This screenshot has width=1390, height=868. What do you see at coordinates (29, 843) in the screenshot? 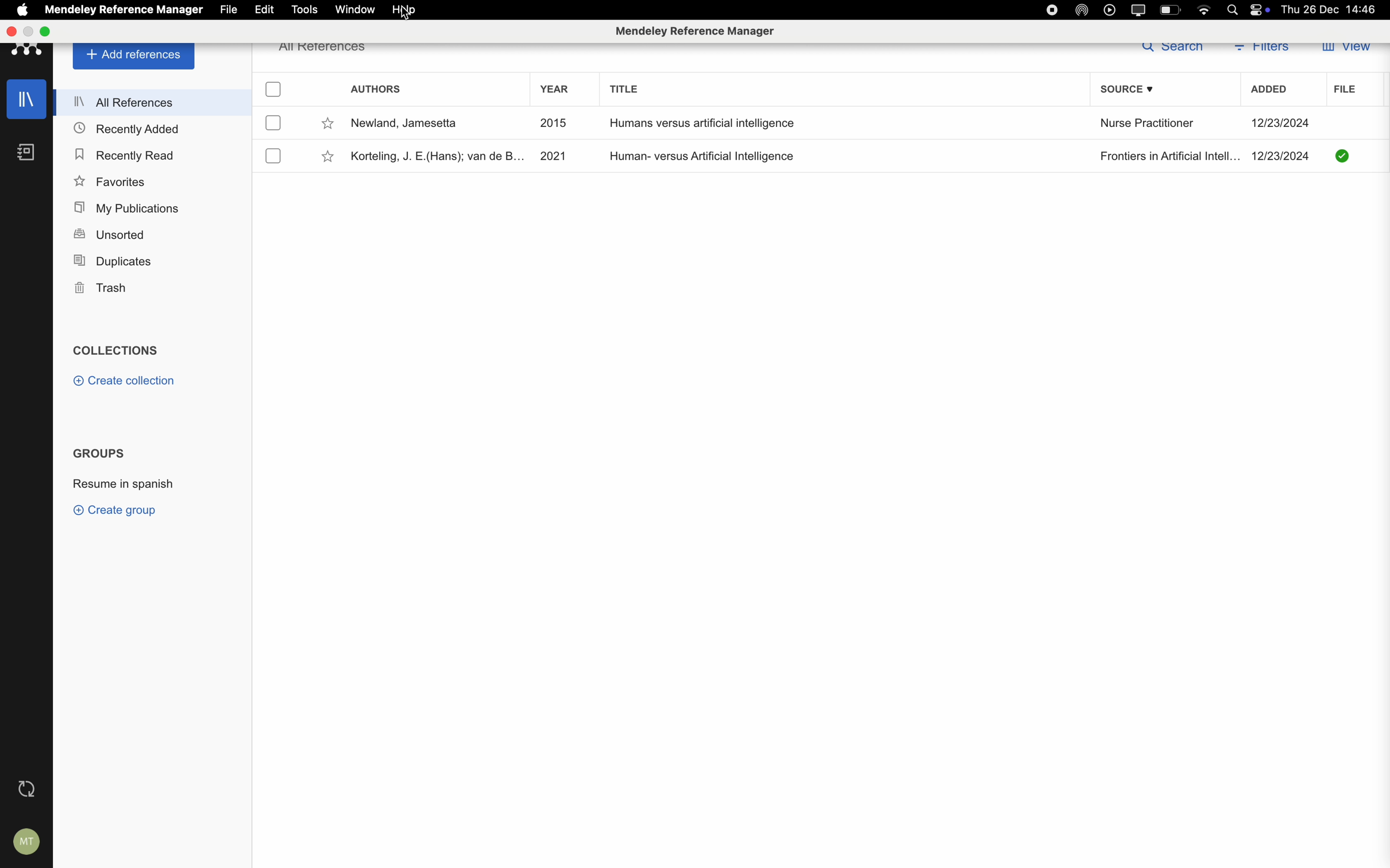
I see `account settings` at bounding box center [29, 843].